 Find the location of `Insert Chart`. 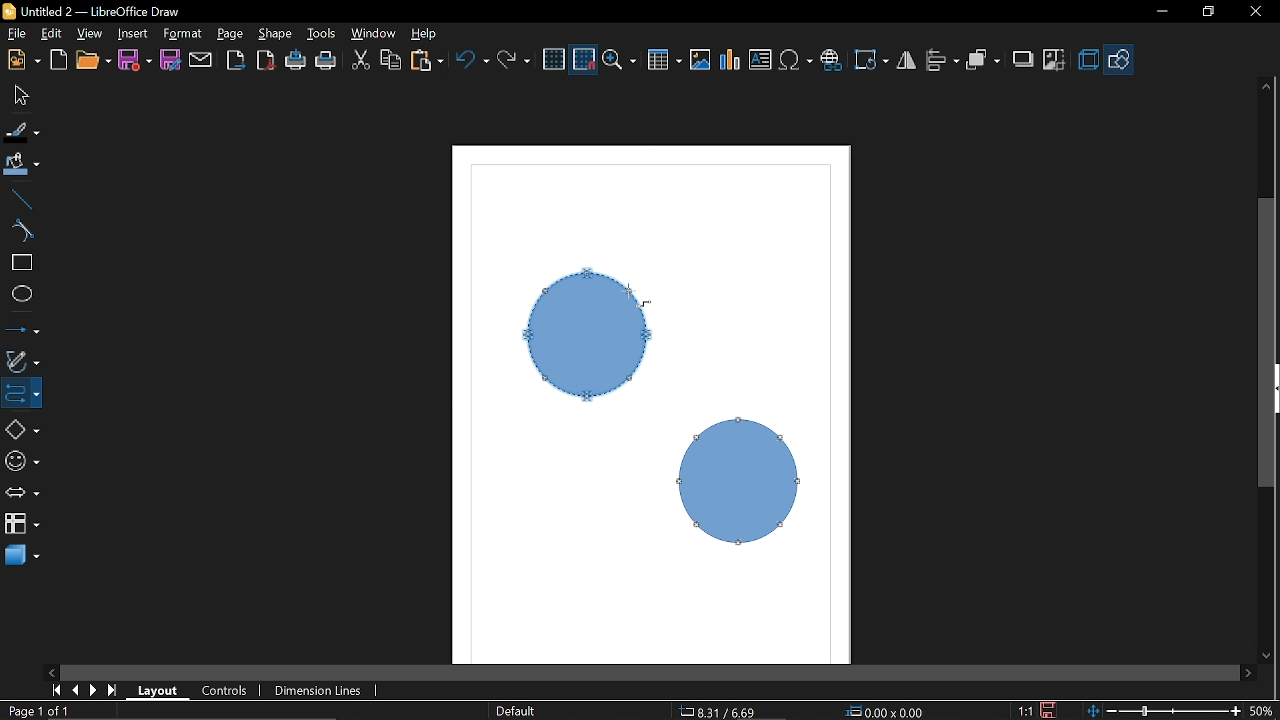

Insert Chart is located at coordinates (730, 61).